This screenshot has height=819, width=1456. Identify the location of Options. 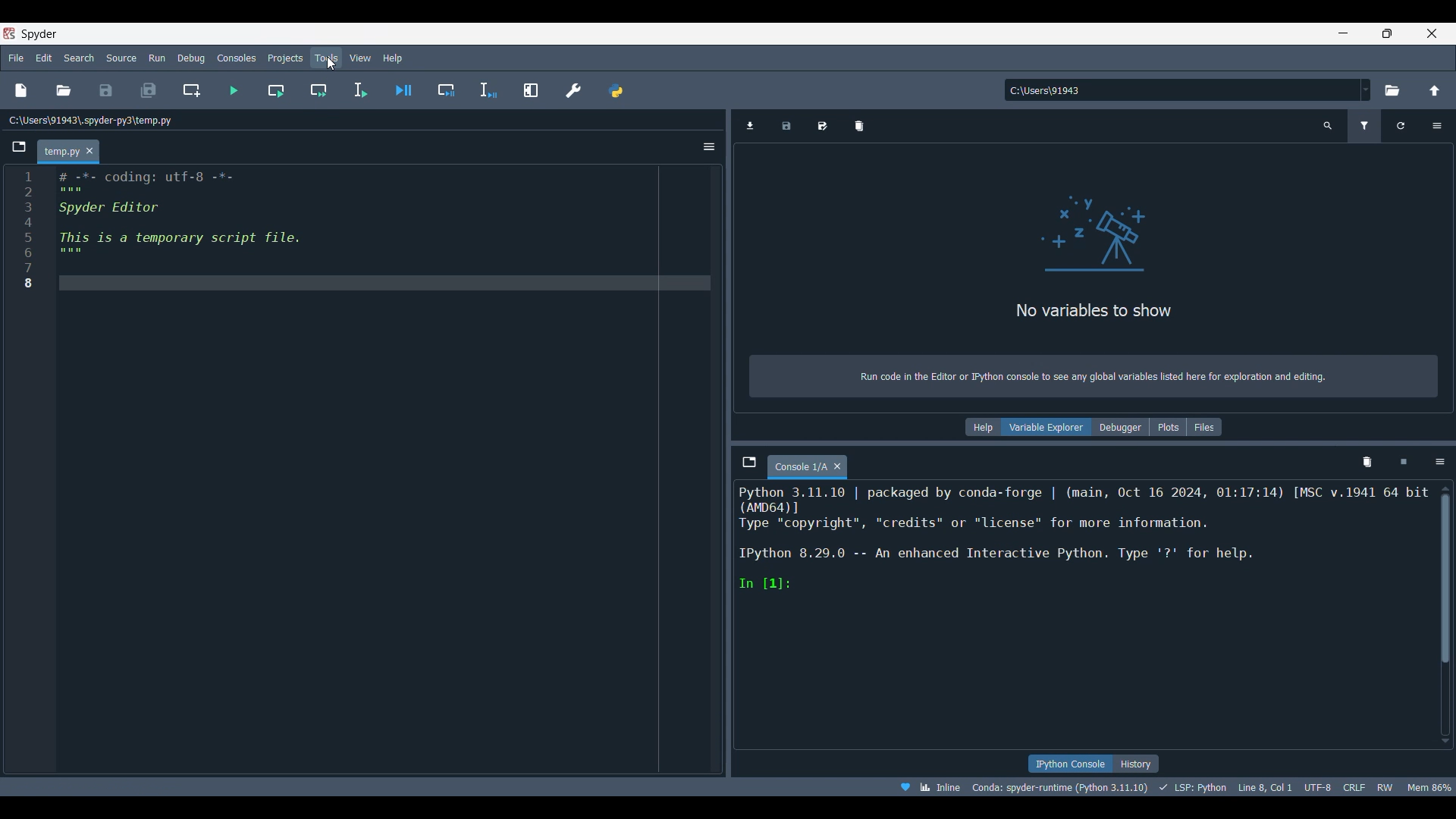
(709, 146).